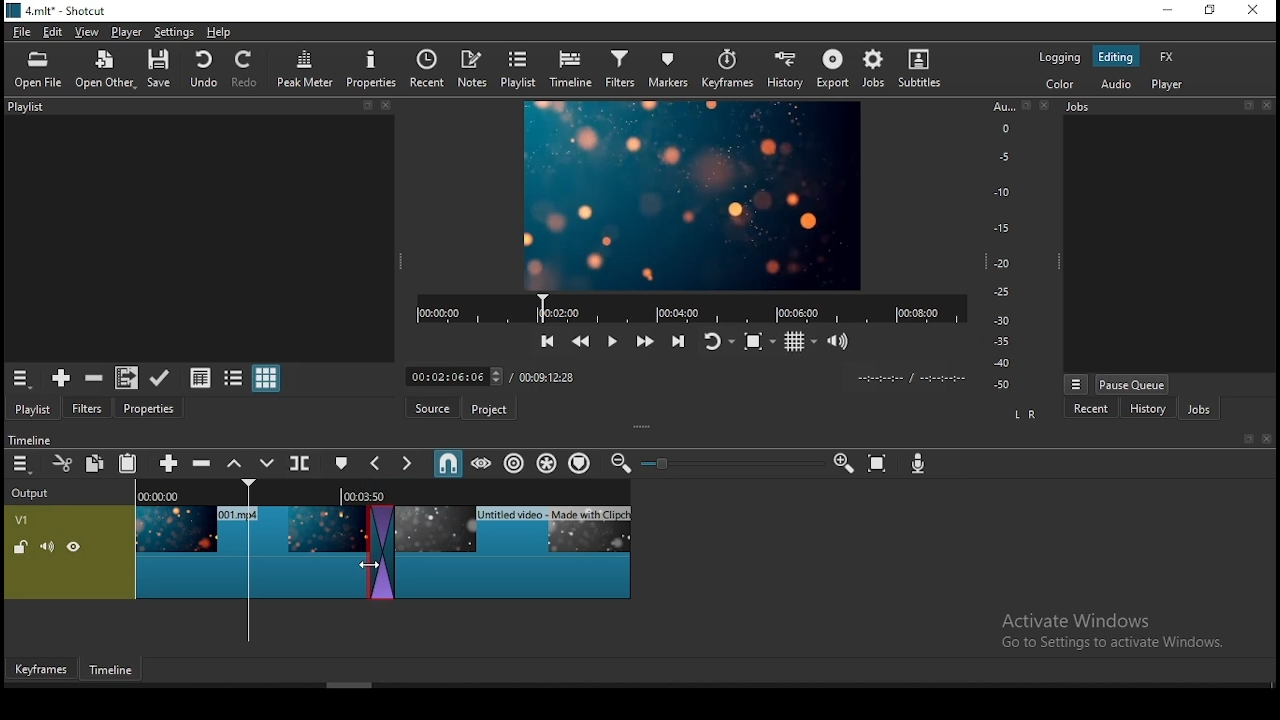 The width and height of the screenshot is (1280, 720). Describe the element at coordinates (717, 341) in the screenshot. I see `toggle player looping` at that location.